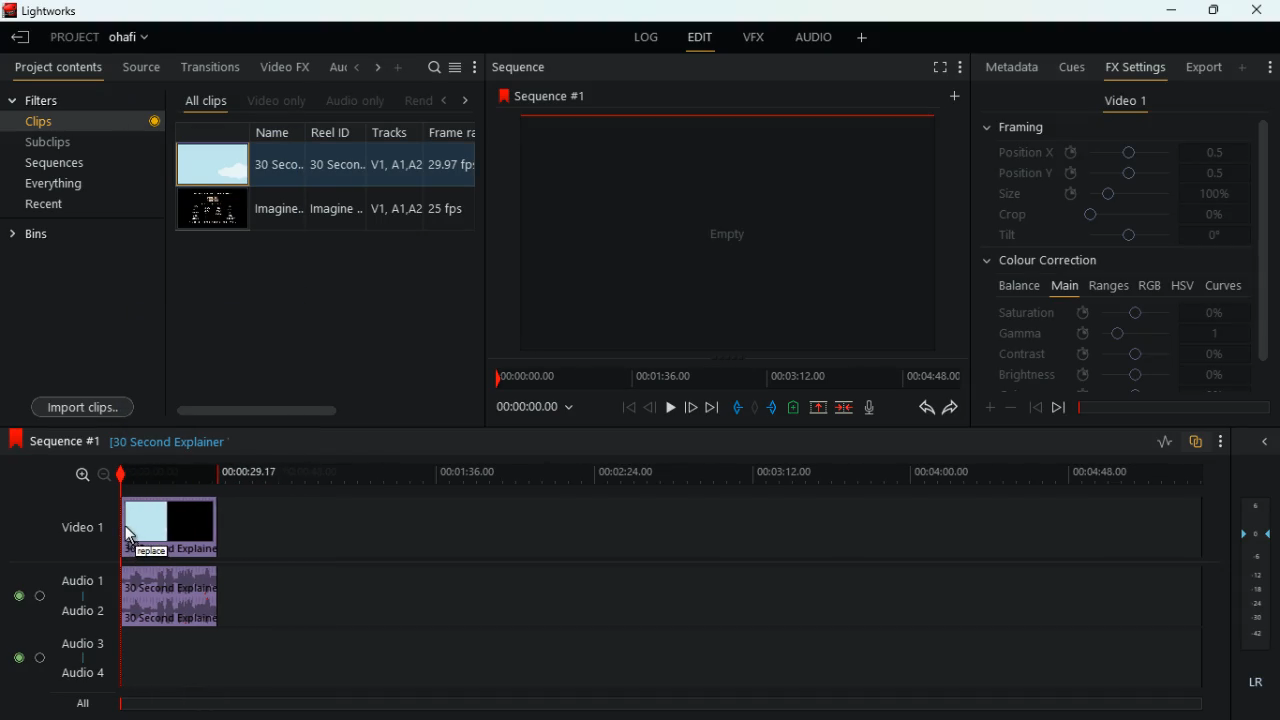  I want to click on project contents, so click(60, 68).